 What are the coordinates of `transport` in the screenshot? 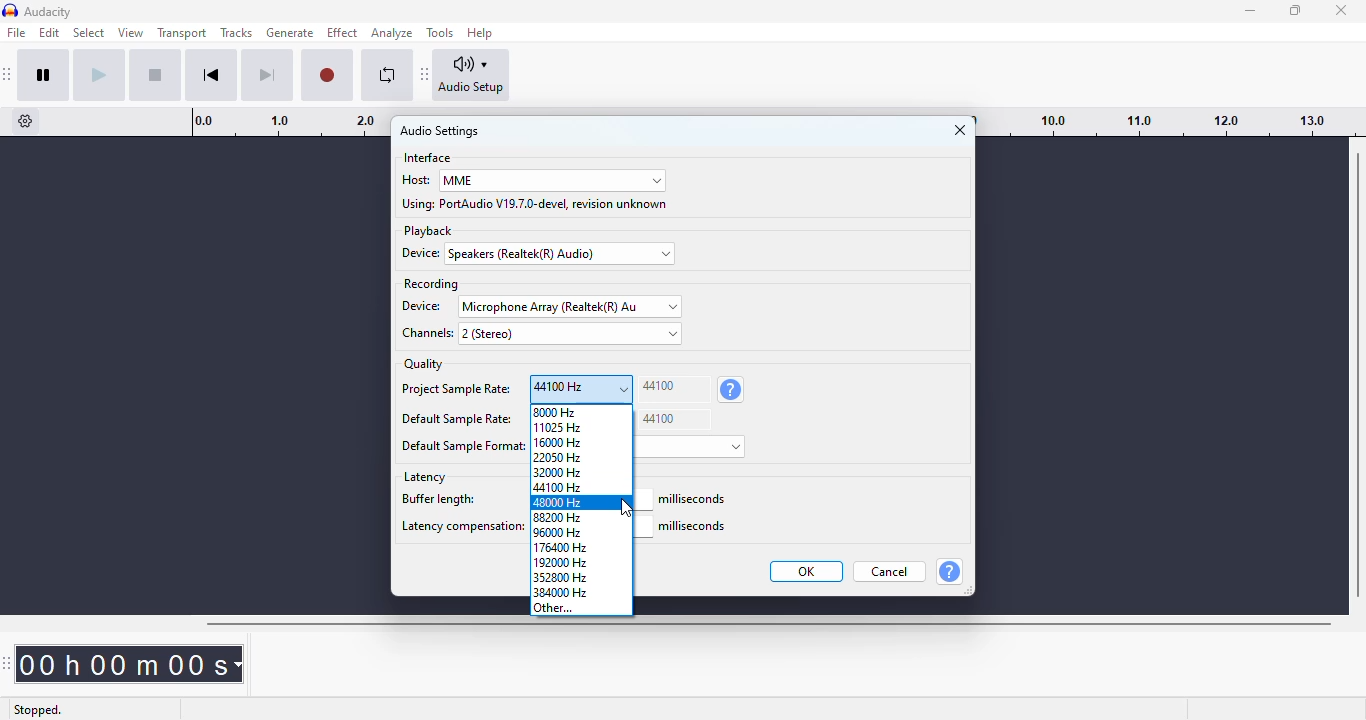 It's located at (183, 32).